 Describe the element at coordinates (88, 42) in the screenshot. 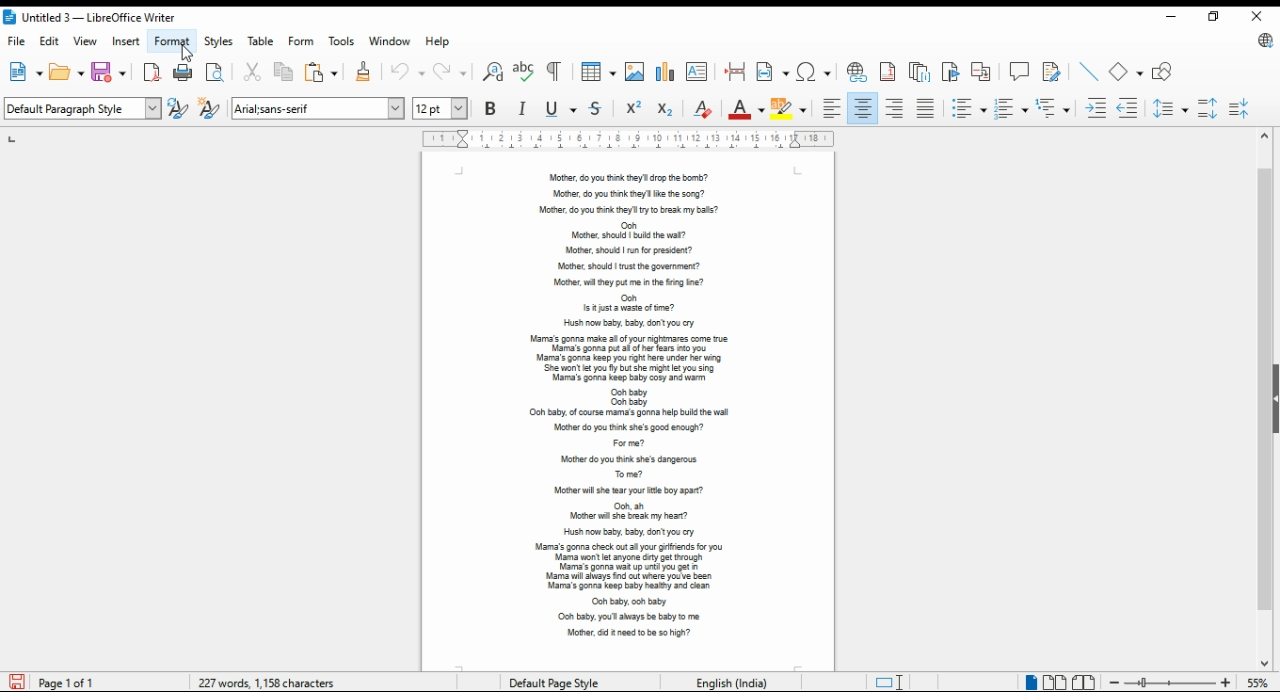

I see `view` at that location.